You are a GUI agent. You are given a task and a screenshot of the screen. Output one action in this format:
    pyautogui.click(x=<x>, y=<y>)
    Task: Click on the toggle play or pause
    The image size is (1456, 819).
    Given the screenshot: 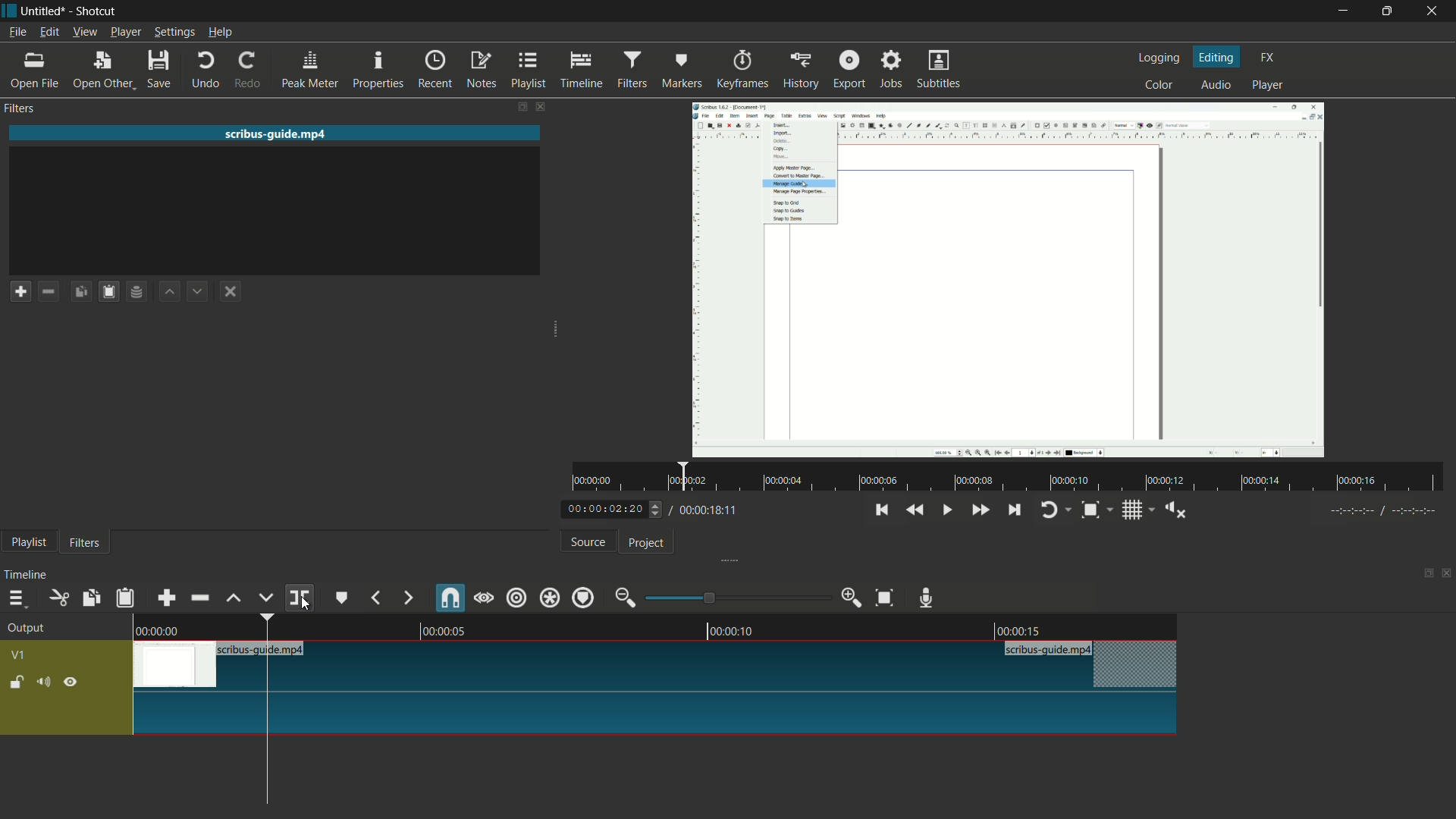 What is the action you would take?
    pyautogui.click(x=946, y=510)
    